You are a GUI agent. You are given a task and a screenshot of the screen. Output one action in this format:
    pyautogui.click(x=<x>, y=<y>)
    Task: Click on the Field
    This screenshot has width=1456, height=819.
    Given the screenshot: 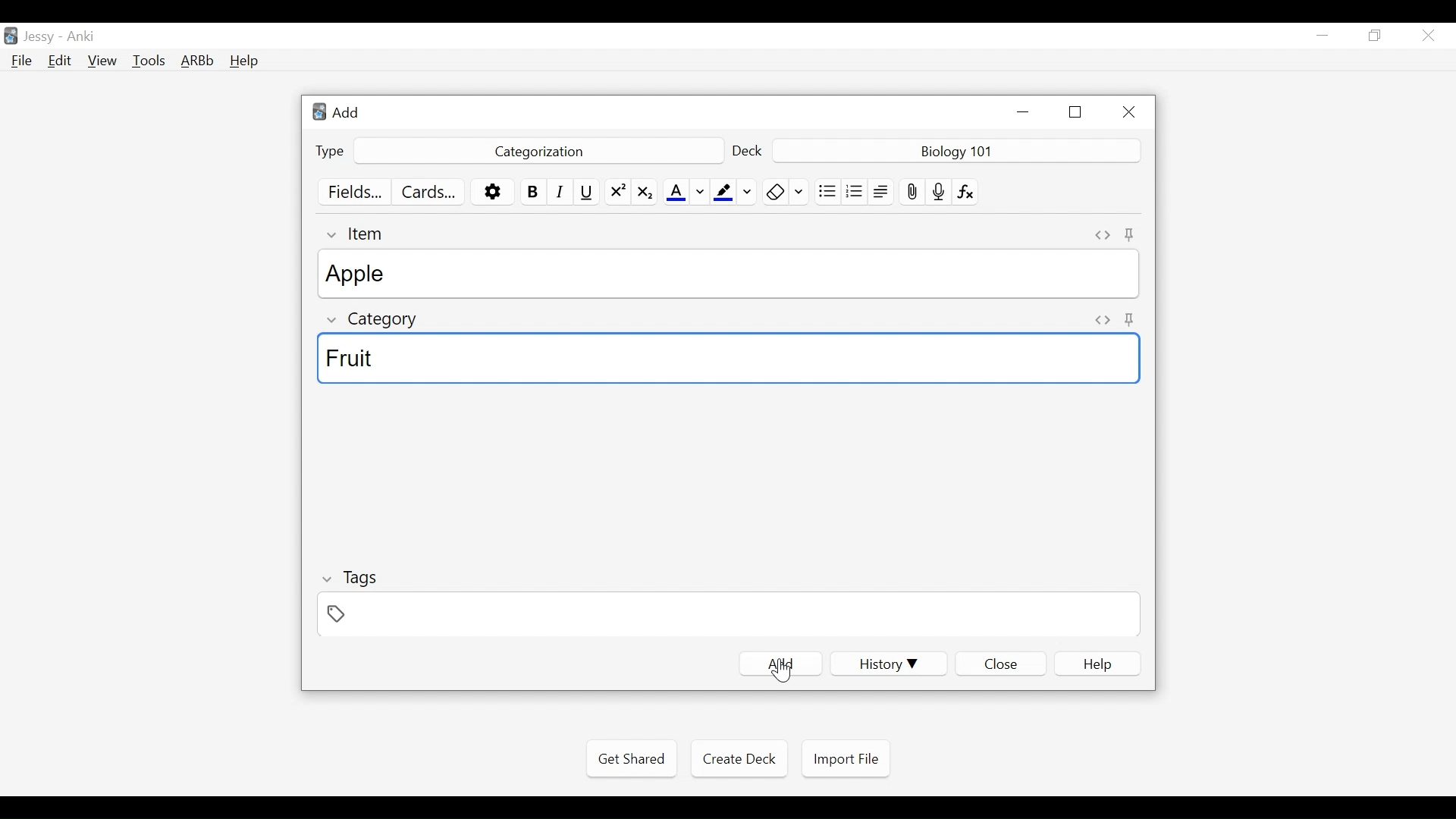 What is the action you would take?
    pyautogui.click(x=726, y=613)
    